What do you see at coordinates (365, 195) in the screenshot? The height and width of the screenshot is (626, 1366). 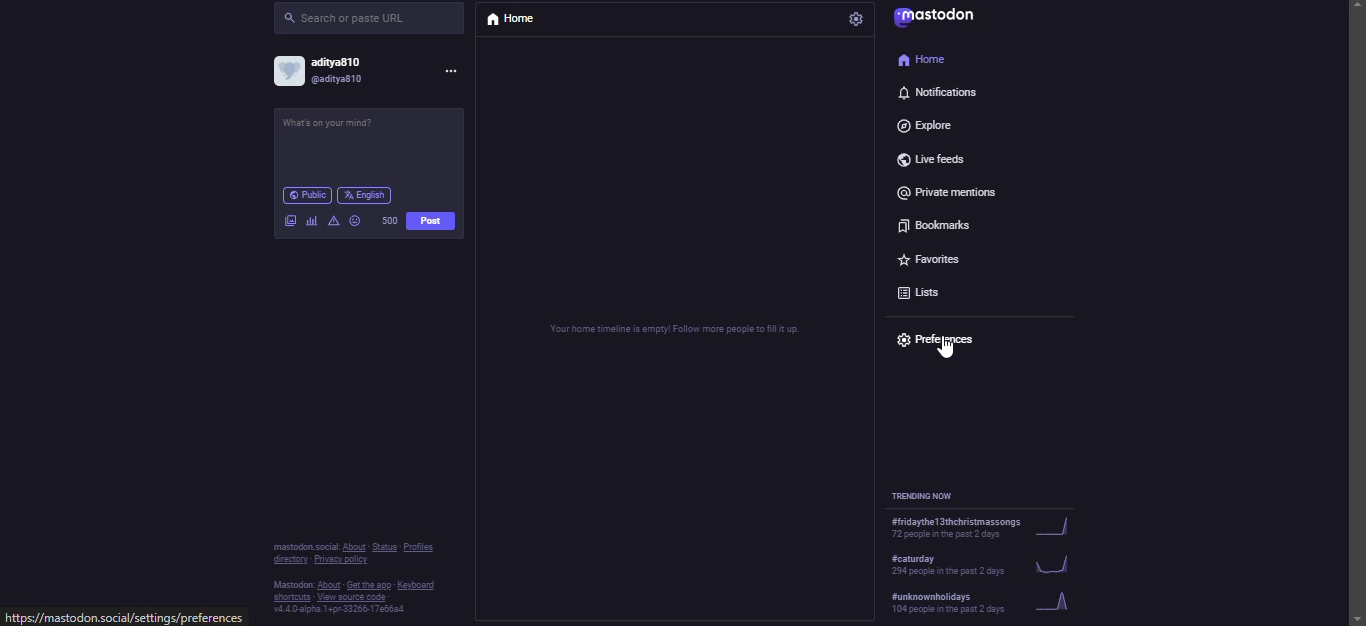 I see `english` at bounding box center [365, 195].